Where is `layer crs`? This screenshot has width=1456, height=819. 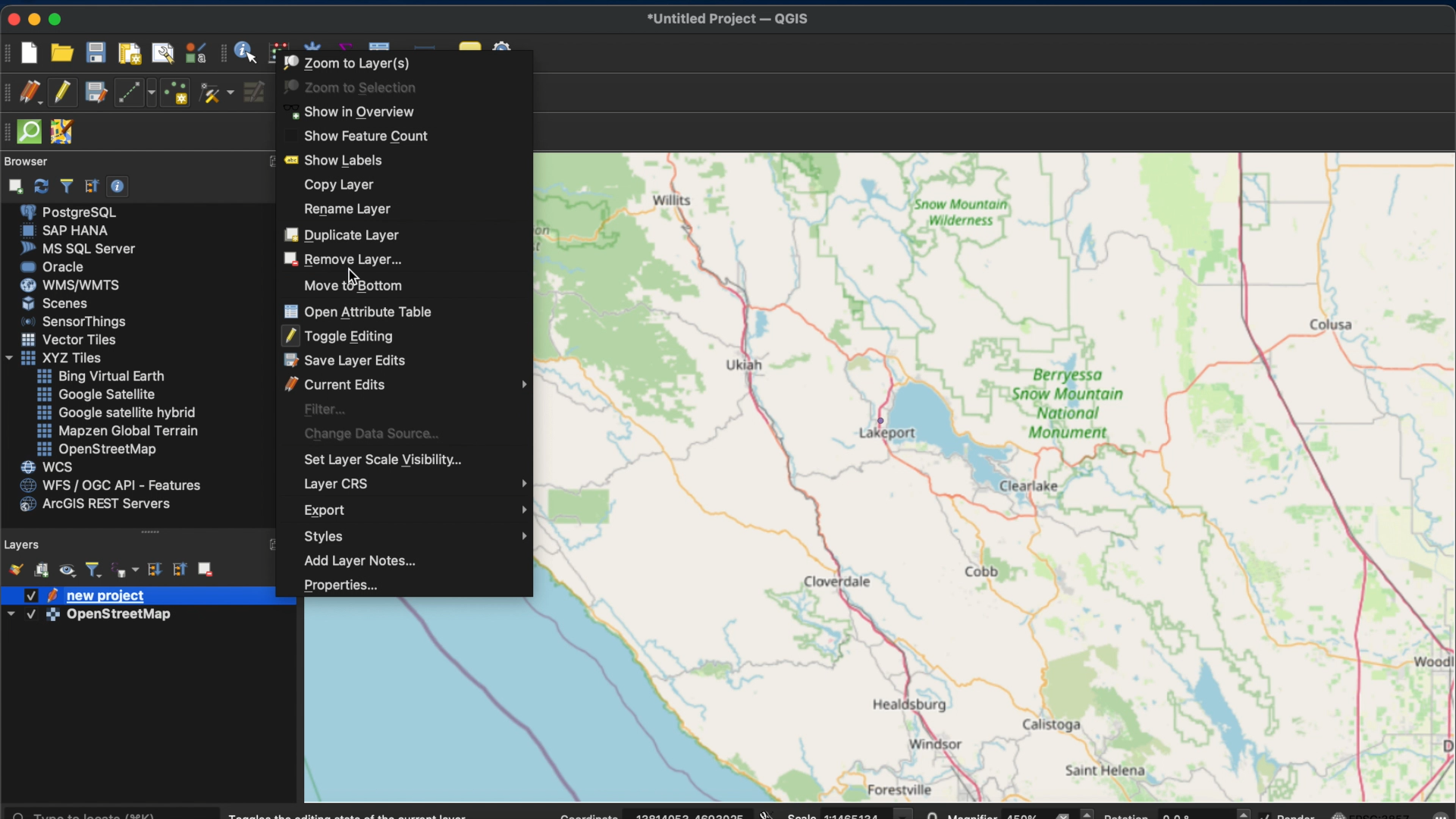 layer crs is located at coordinates (419, 482).